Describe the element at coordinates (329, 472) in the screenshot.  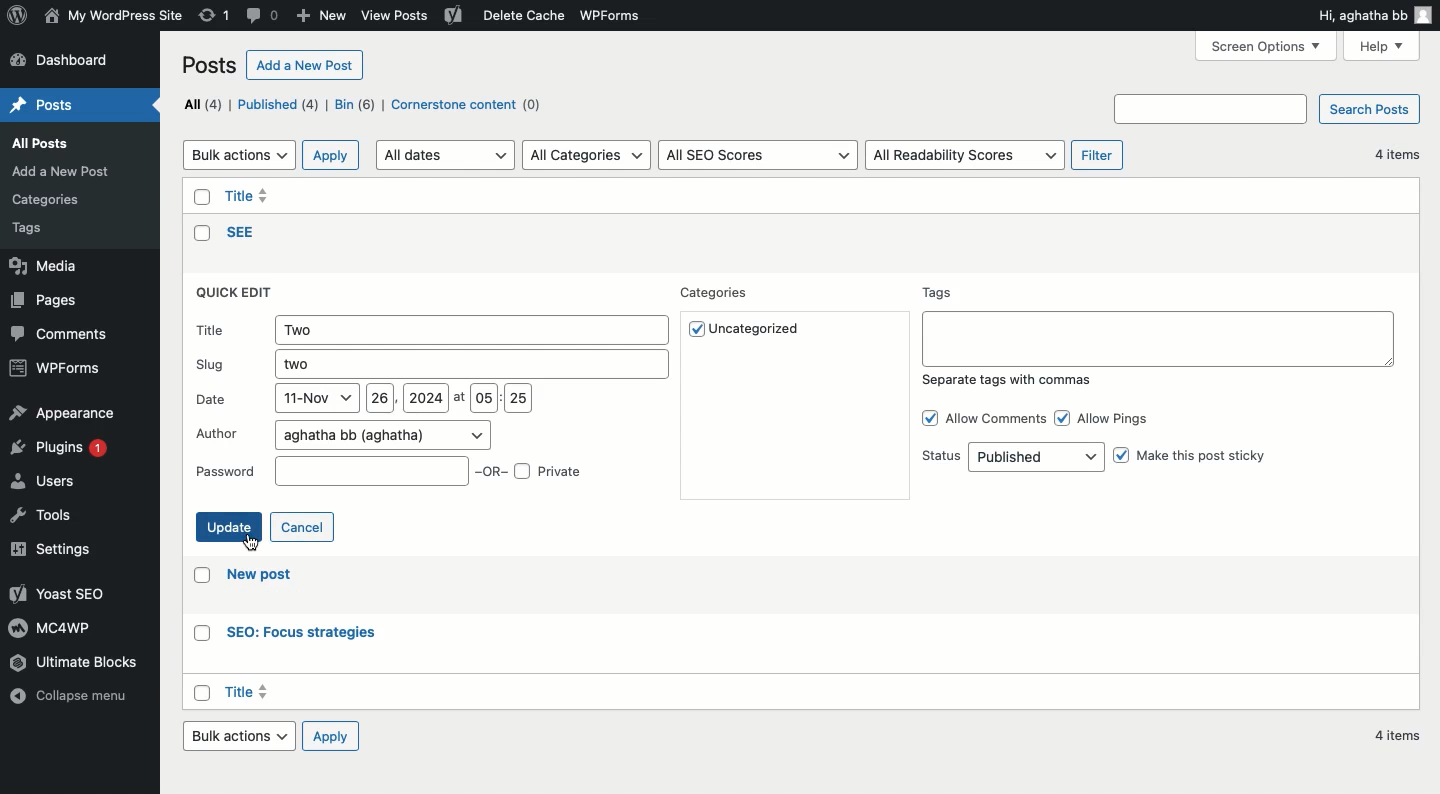
I see `Password` at that location.